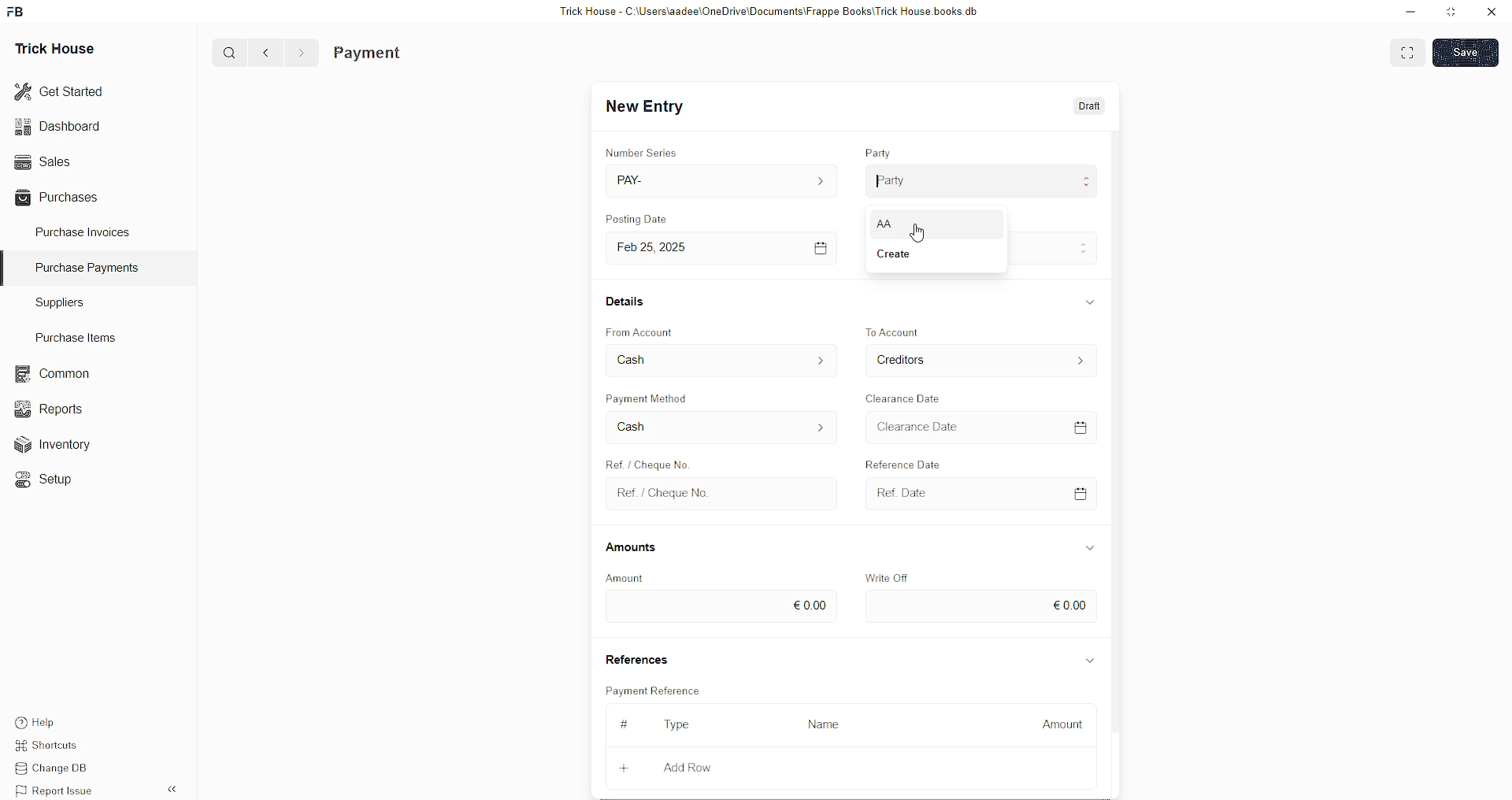 Image resolution: width=1512 pixels, height=800 pixels. Describe the element at coordinates (635, 179) in the screenshot. I see `PAY-` at that location.